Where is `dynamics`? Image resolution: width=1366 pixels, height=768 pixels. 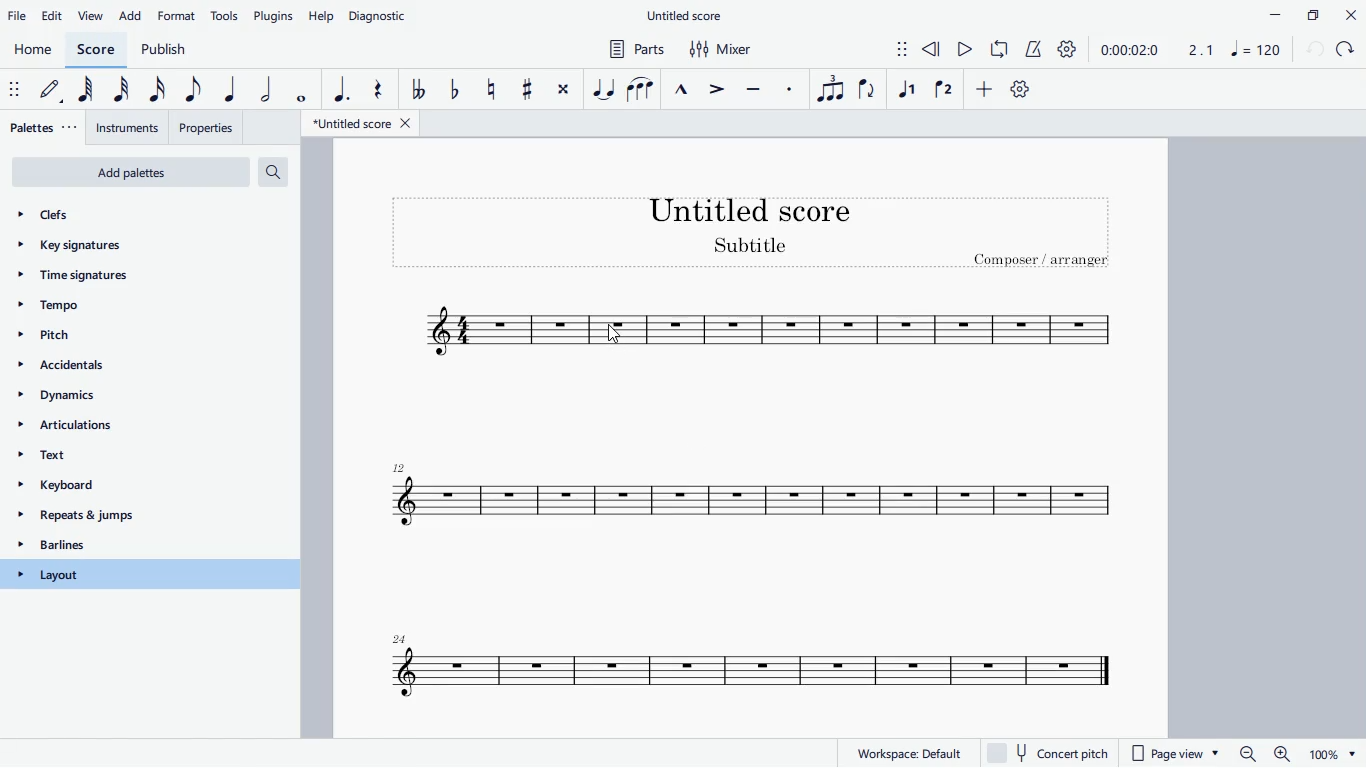 dynamics is located at coordinates (120, 400).